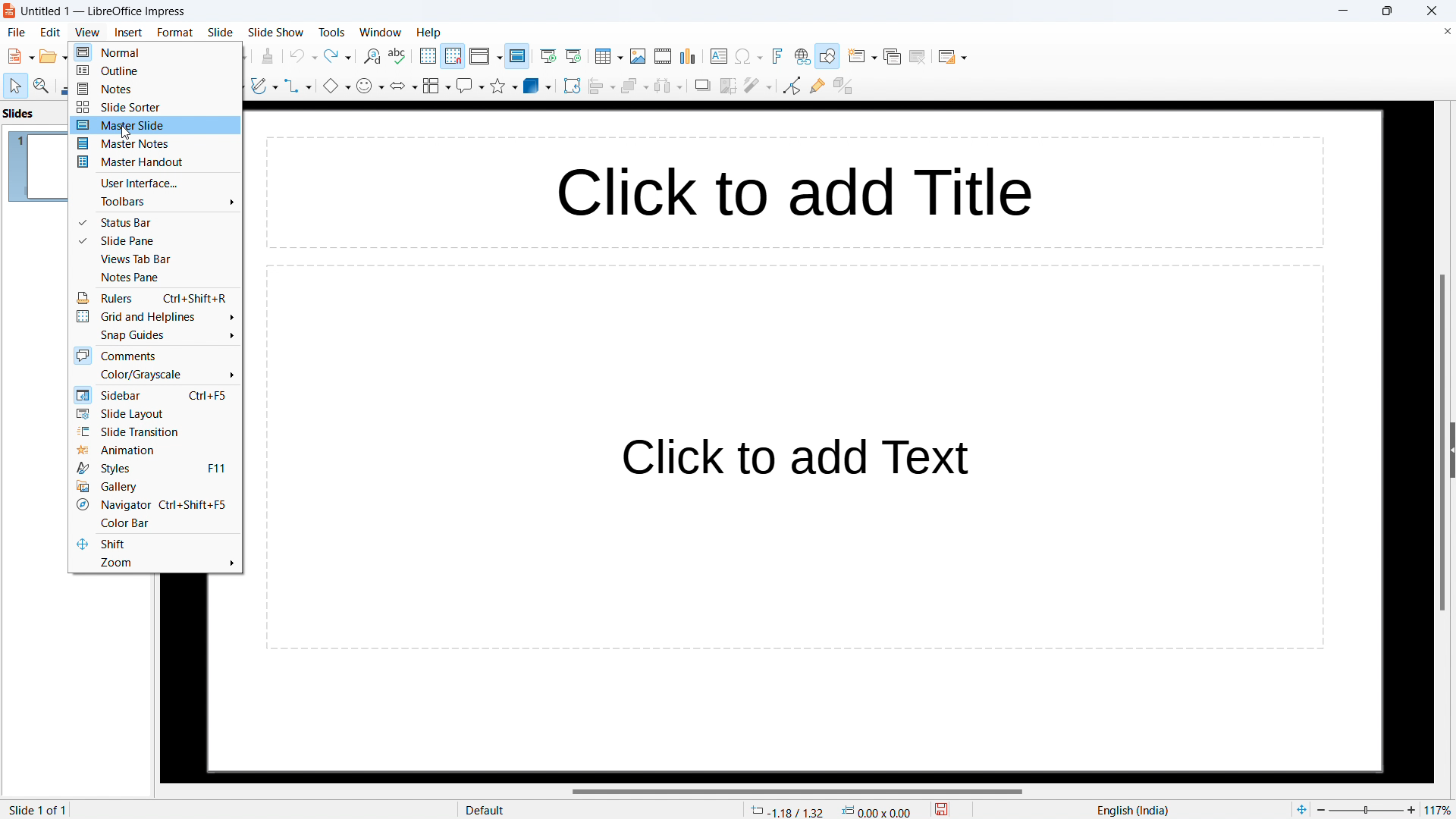 The width and height of the screenshot is (1456, 819). I want to click on insert chart, so click(689, 56).